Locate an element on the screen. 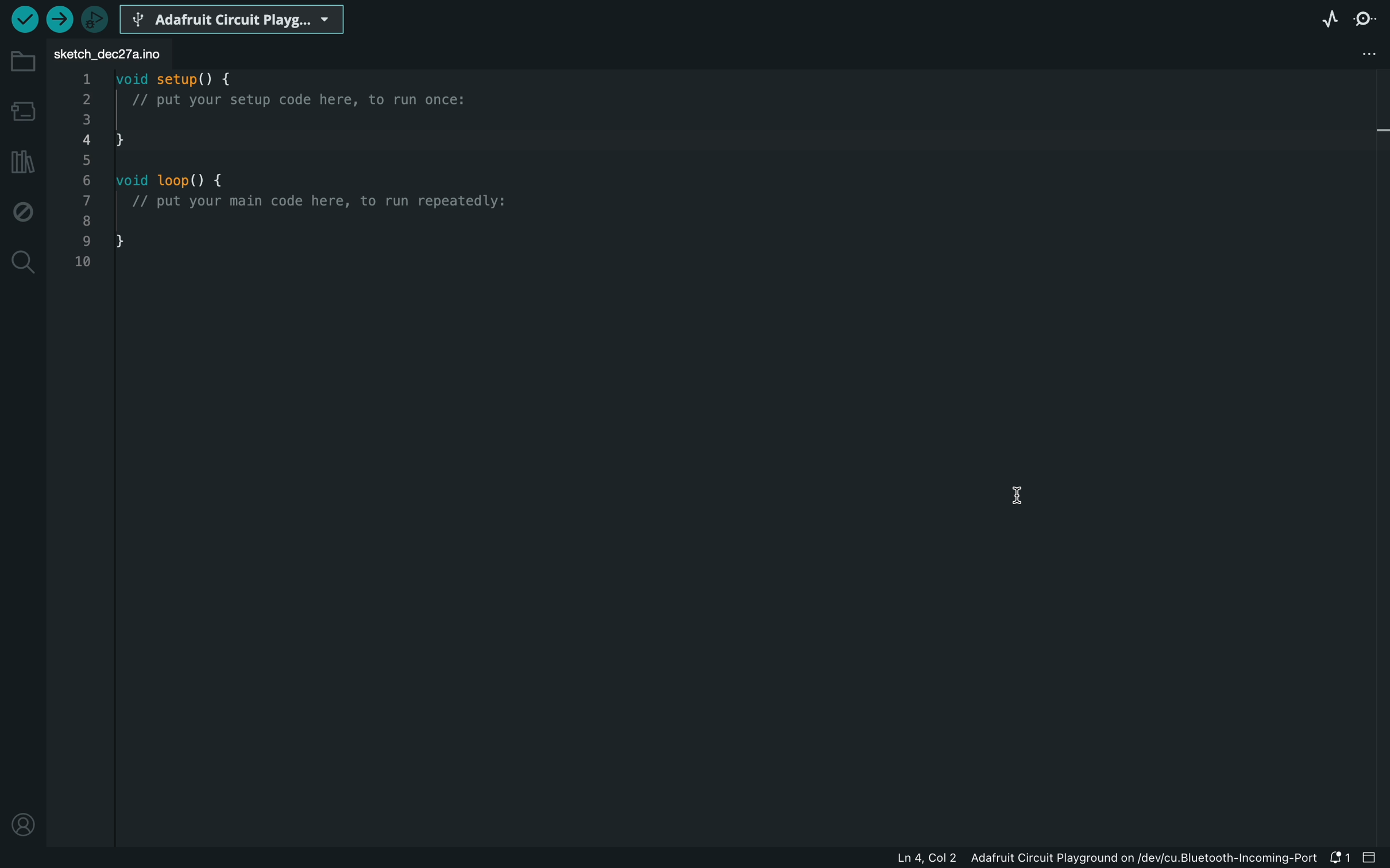 This screenshot has width=1390, height=868. debugger is located at coordinates (96, 19).